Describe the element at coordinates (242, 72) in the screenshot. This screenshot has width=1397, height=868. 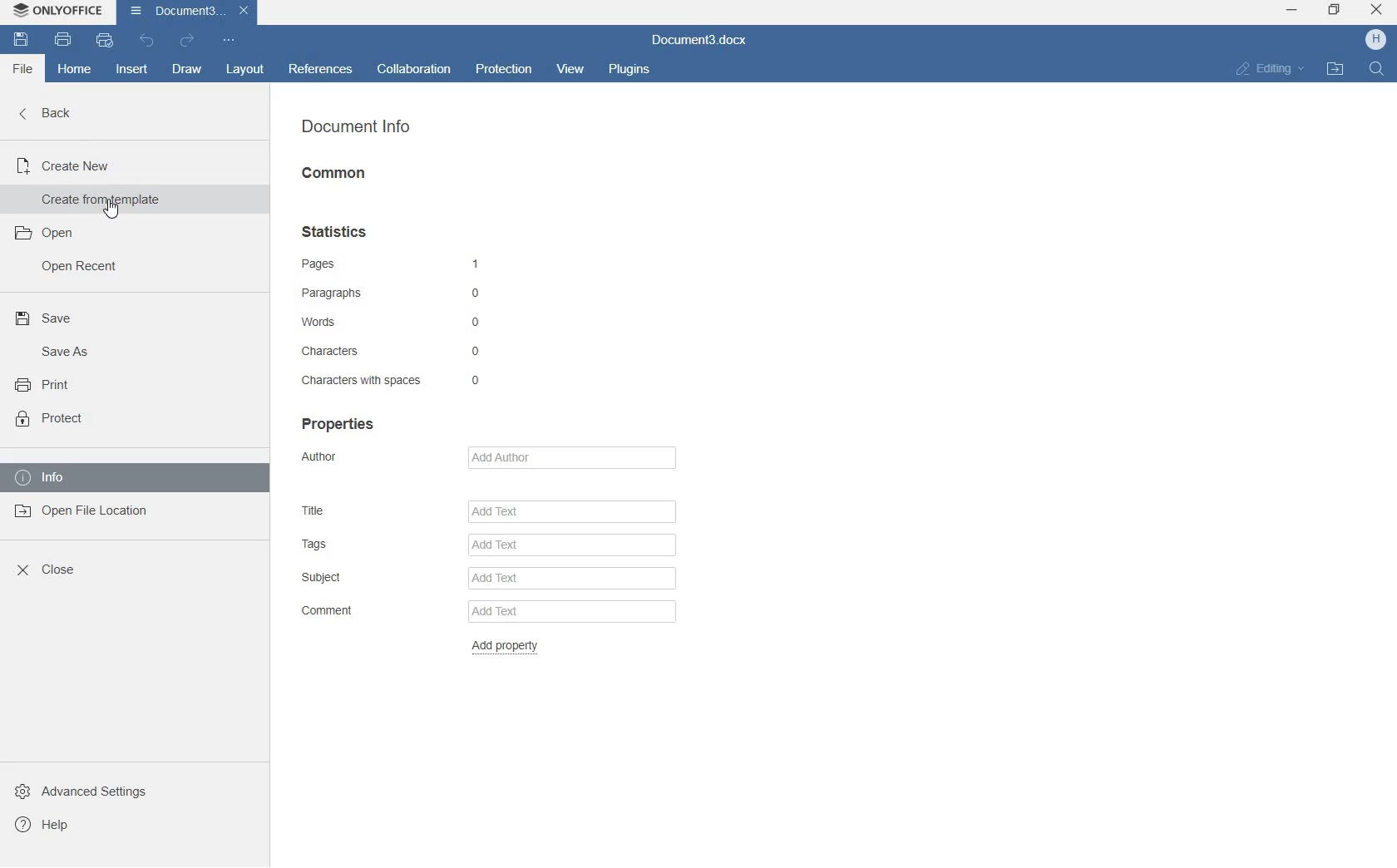
I see `layout` at that location.